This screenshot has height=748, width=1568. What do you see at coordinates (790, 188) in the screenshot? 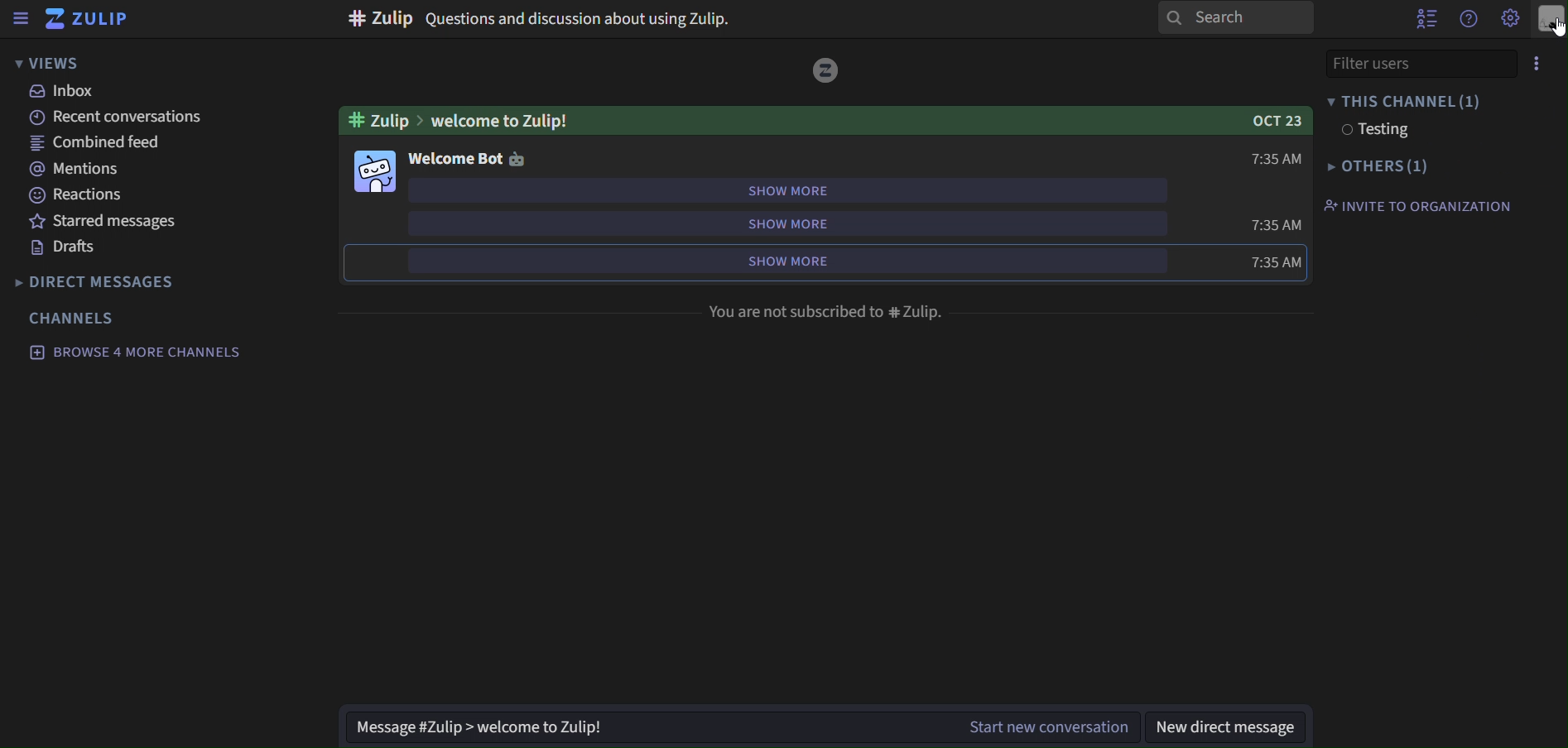
I see `show more` at bounding box center [790, 188].